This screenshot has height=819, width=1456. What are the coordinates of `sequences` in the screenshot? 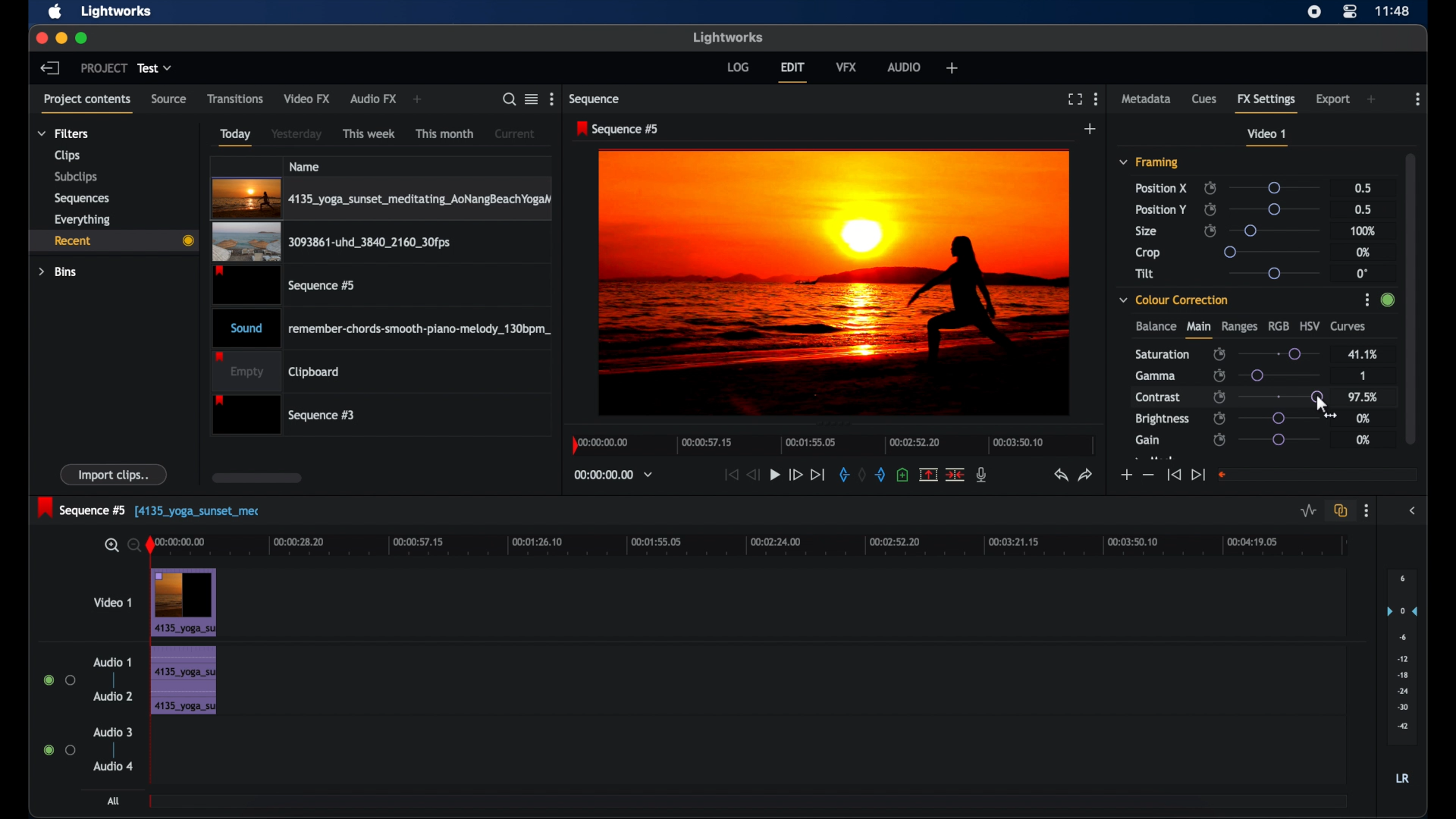 It's located at (82, 197).